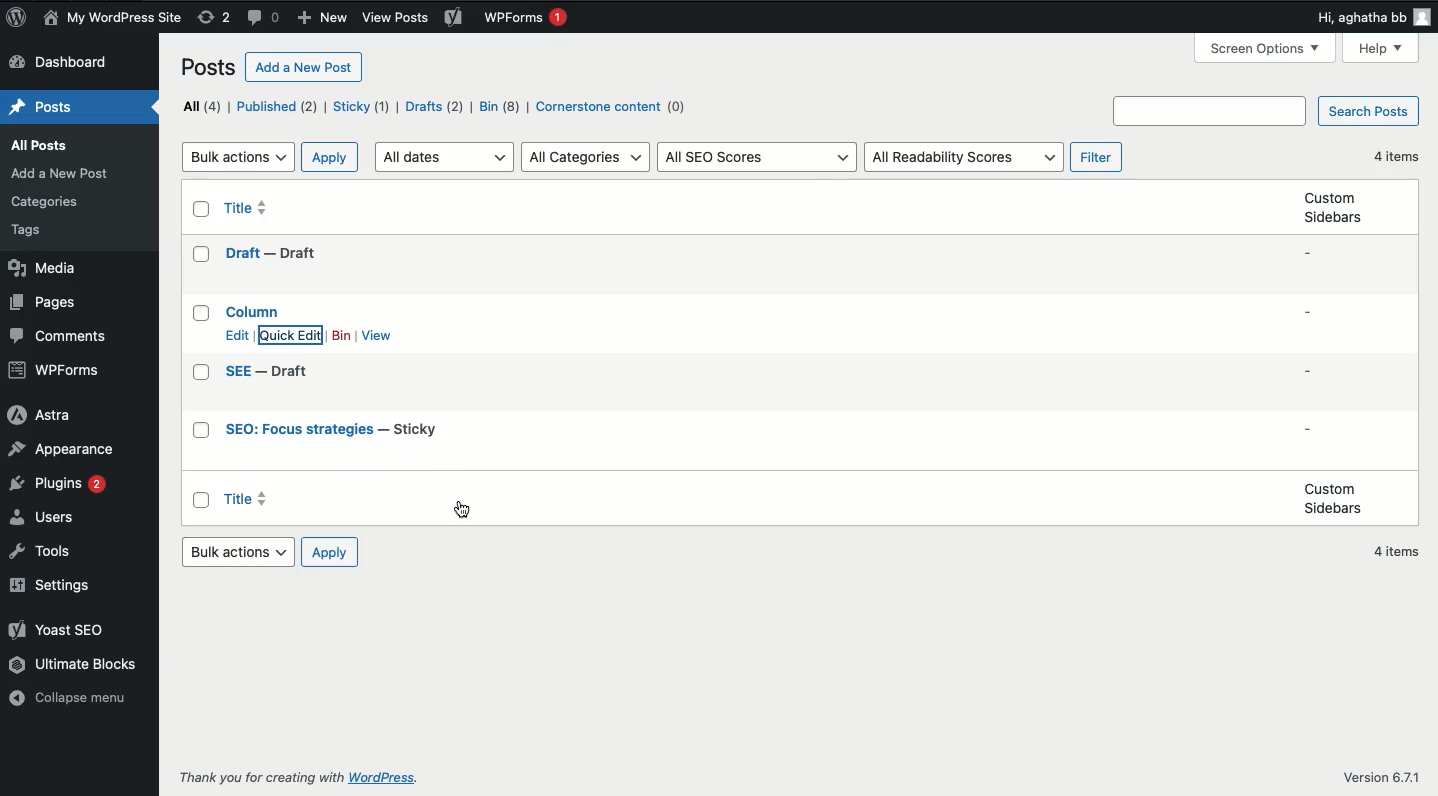  I want to click on Pages, so click(47, 304).